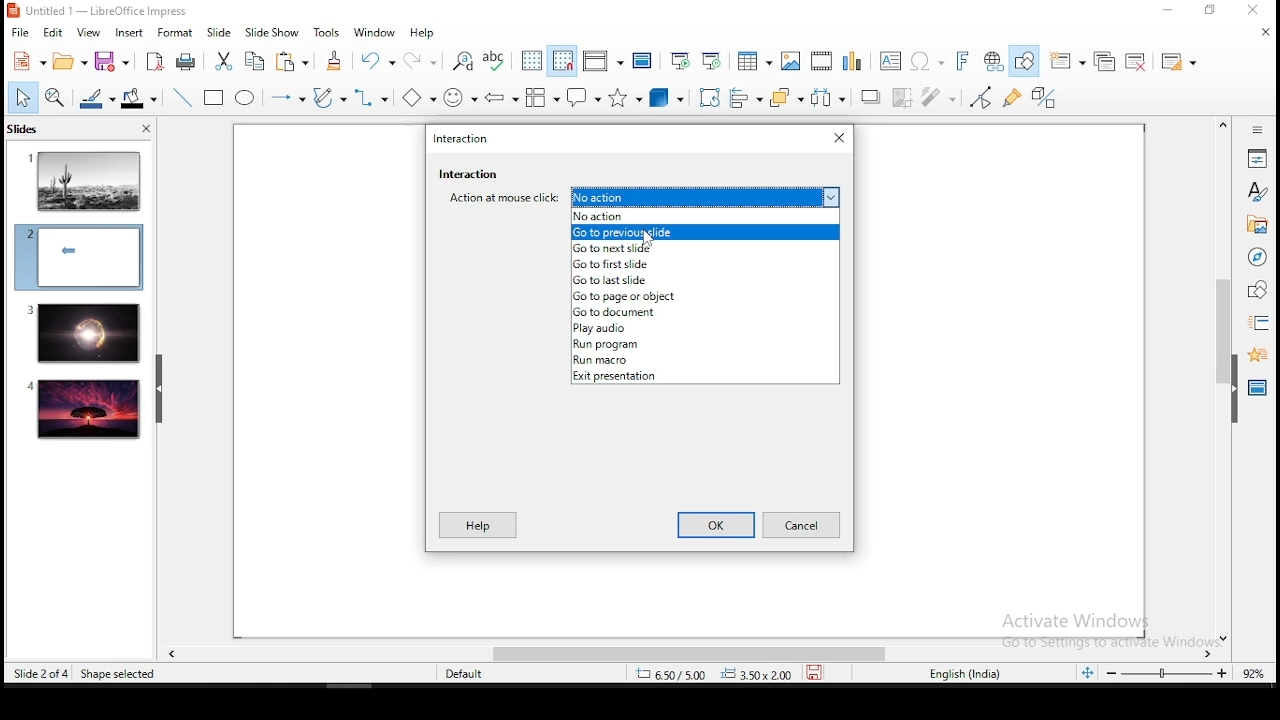  What do you see at coordinates (1255, 353) in the screenshot?
I see `animation` at bounding box center [1255, 353].